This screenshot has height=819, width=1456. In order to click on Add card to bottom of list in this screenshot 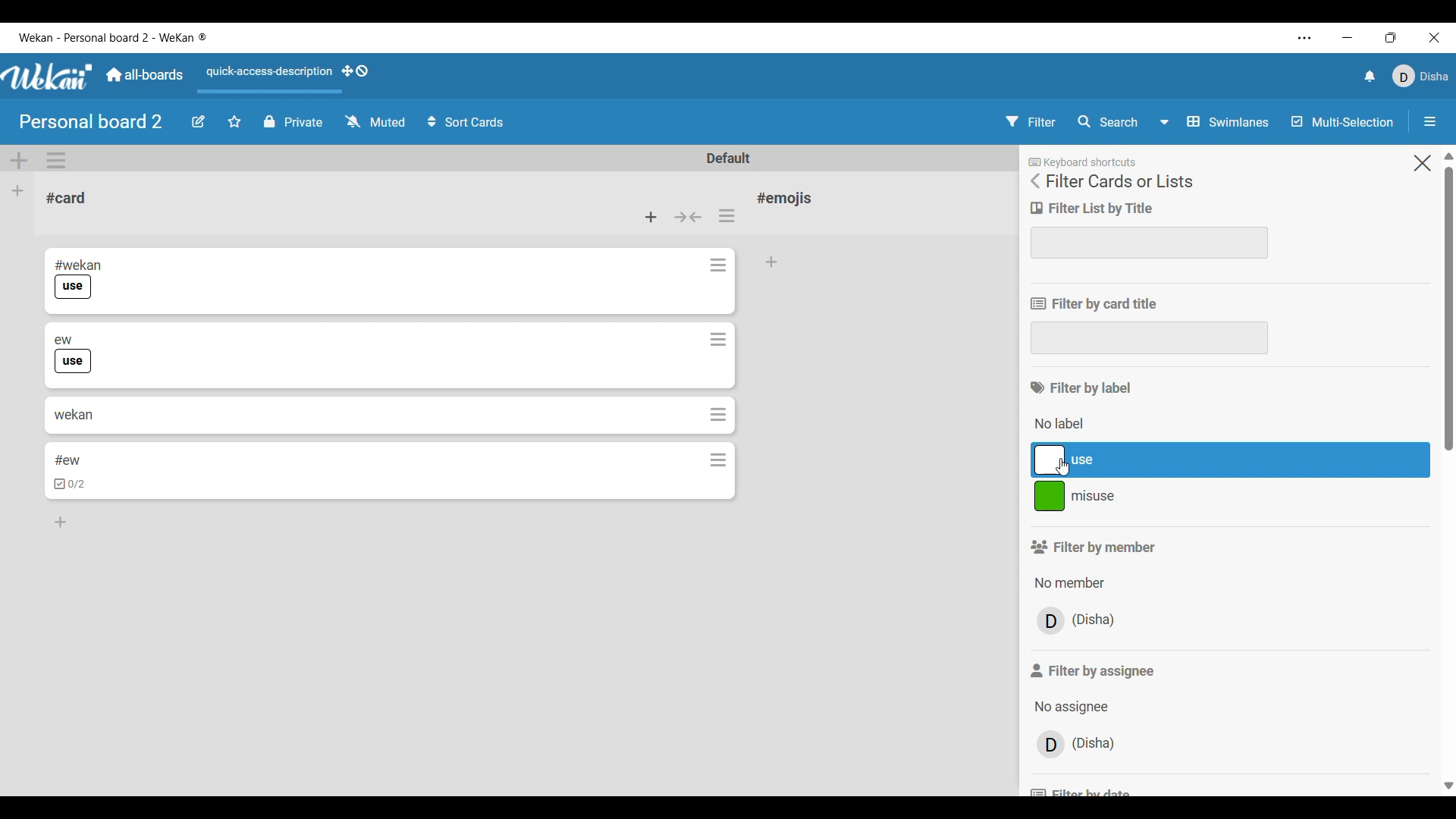, I will do `click(773, 262)`.